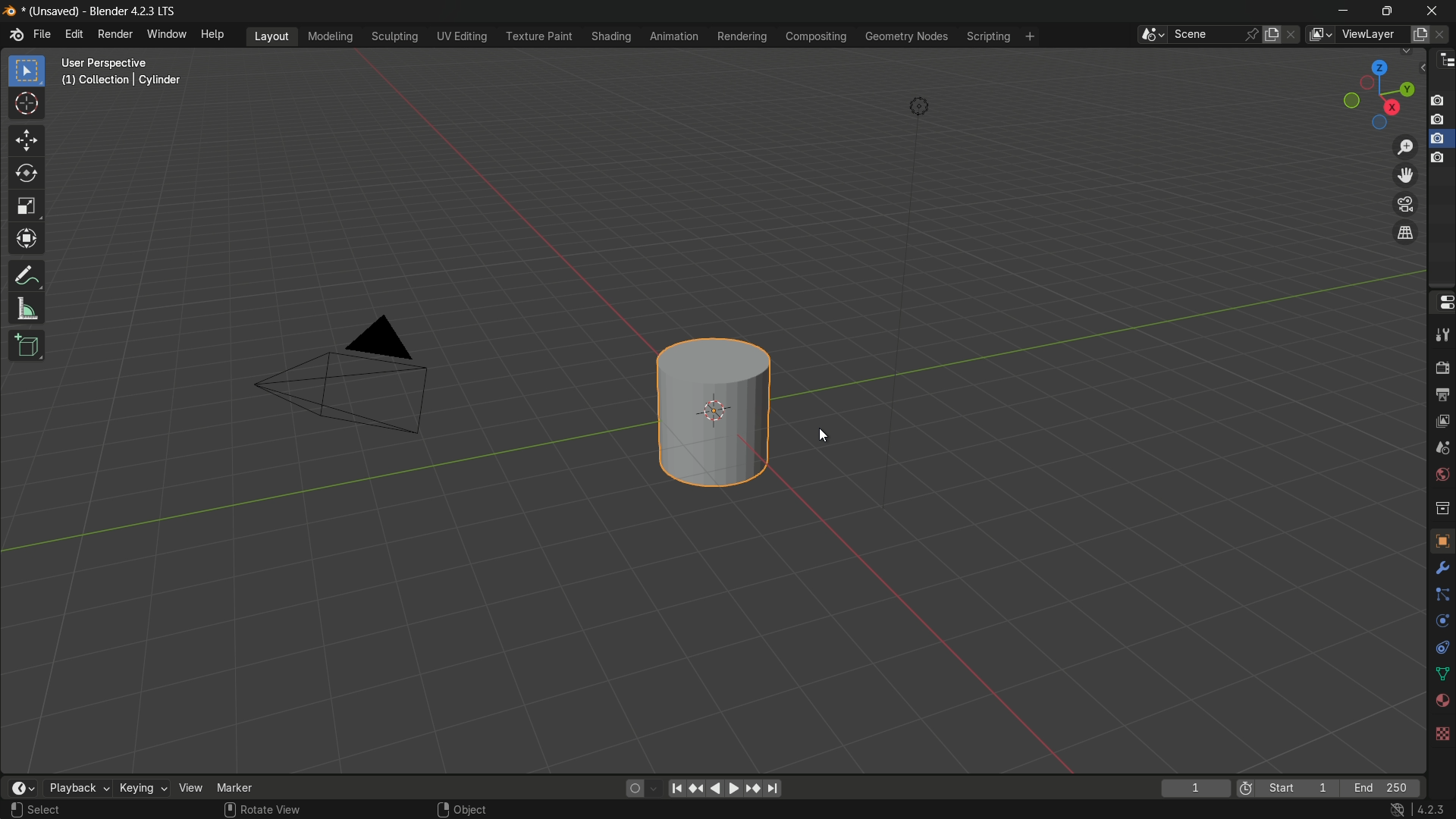  Describe the element at coordinates (1369, 35) in the screenshot. I see `viewLayer` at that location.